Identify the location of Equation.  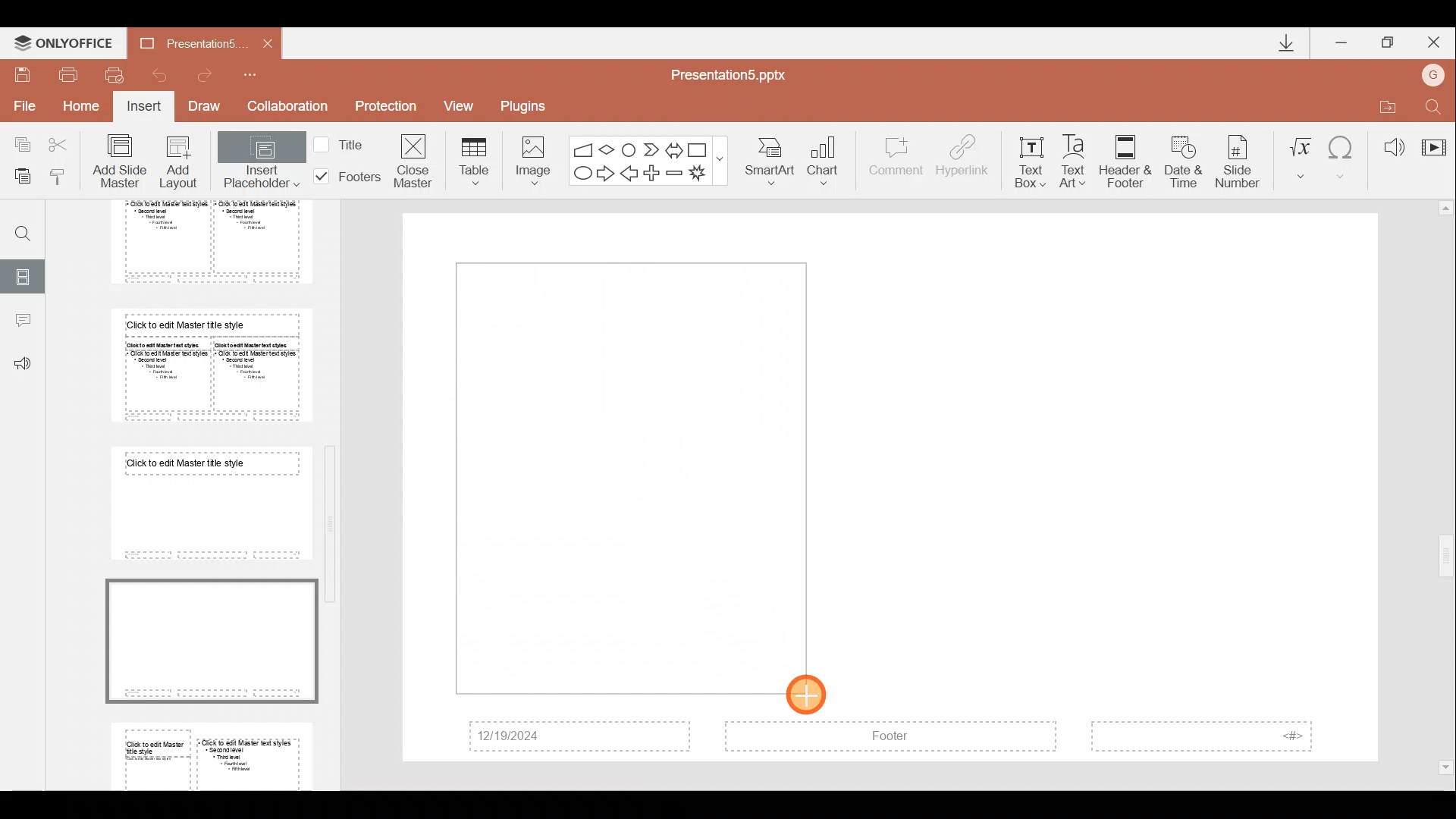
(1300, 155).